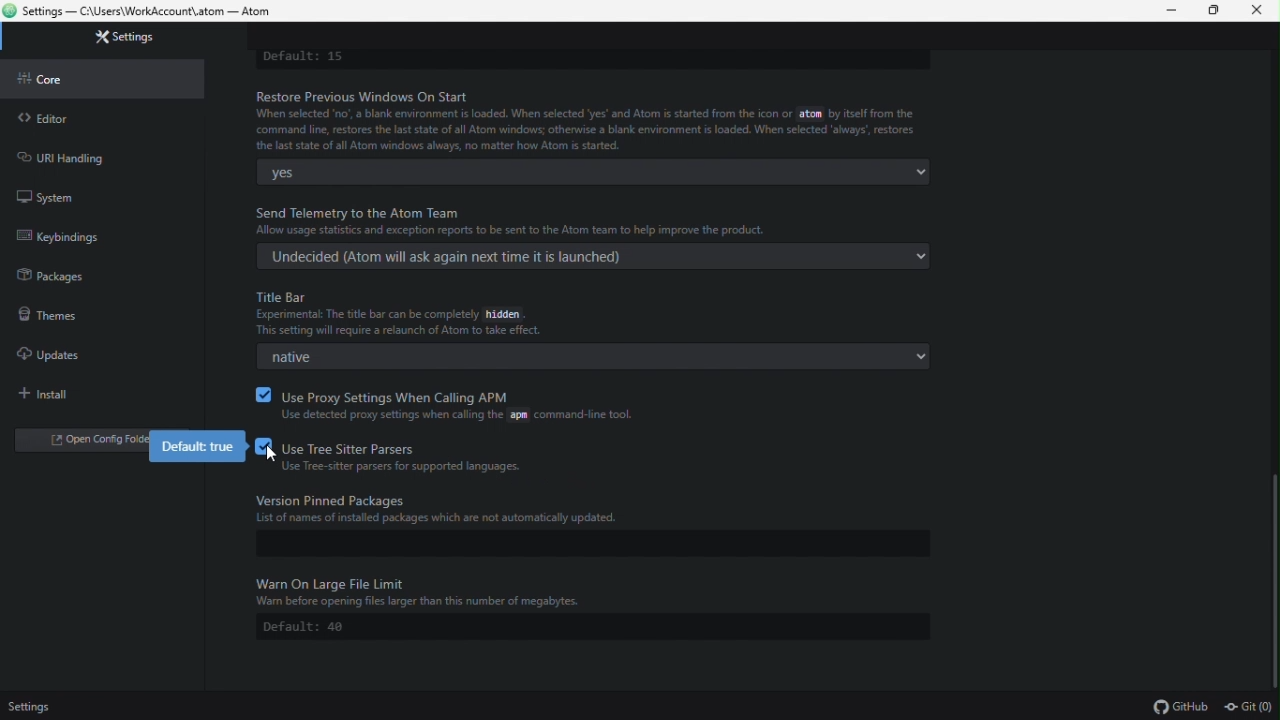  I want to click on textbox, so click(588, 544).